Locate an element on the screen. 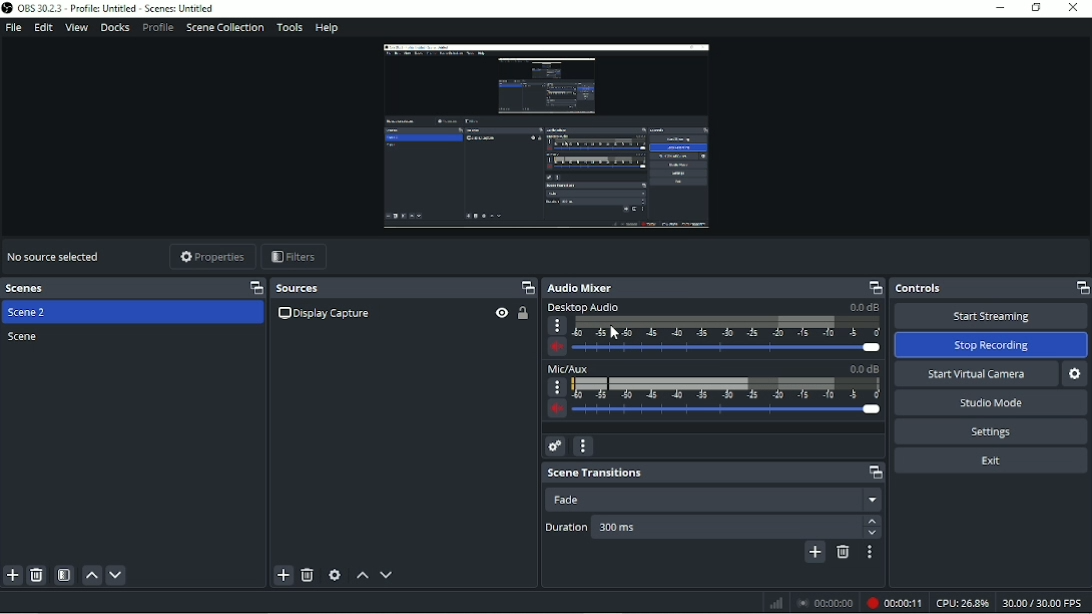  Add source is located at coordinates (282, 575).